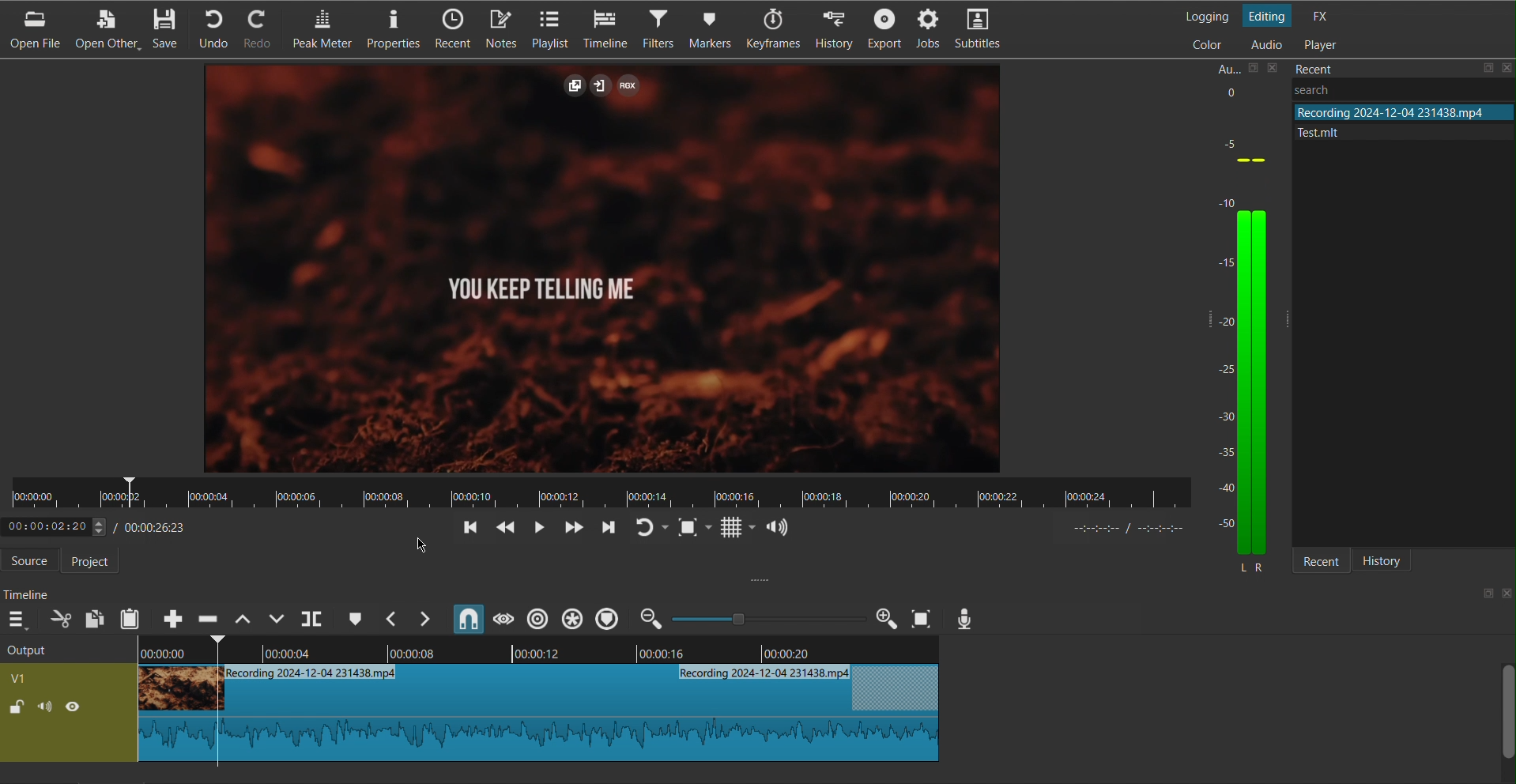 The image size is (1516, 784). I want to click on close, so click(1506, 594).